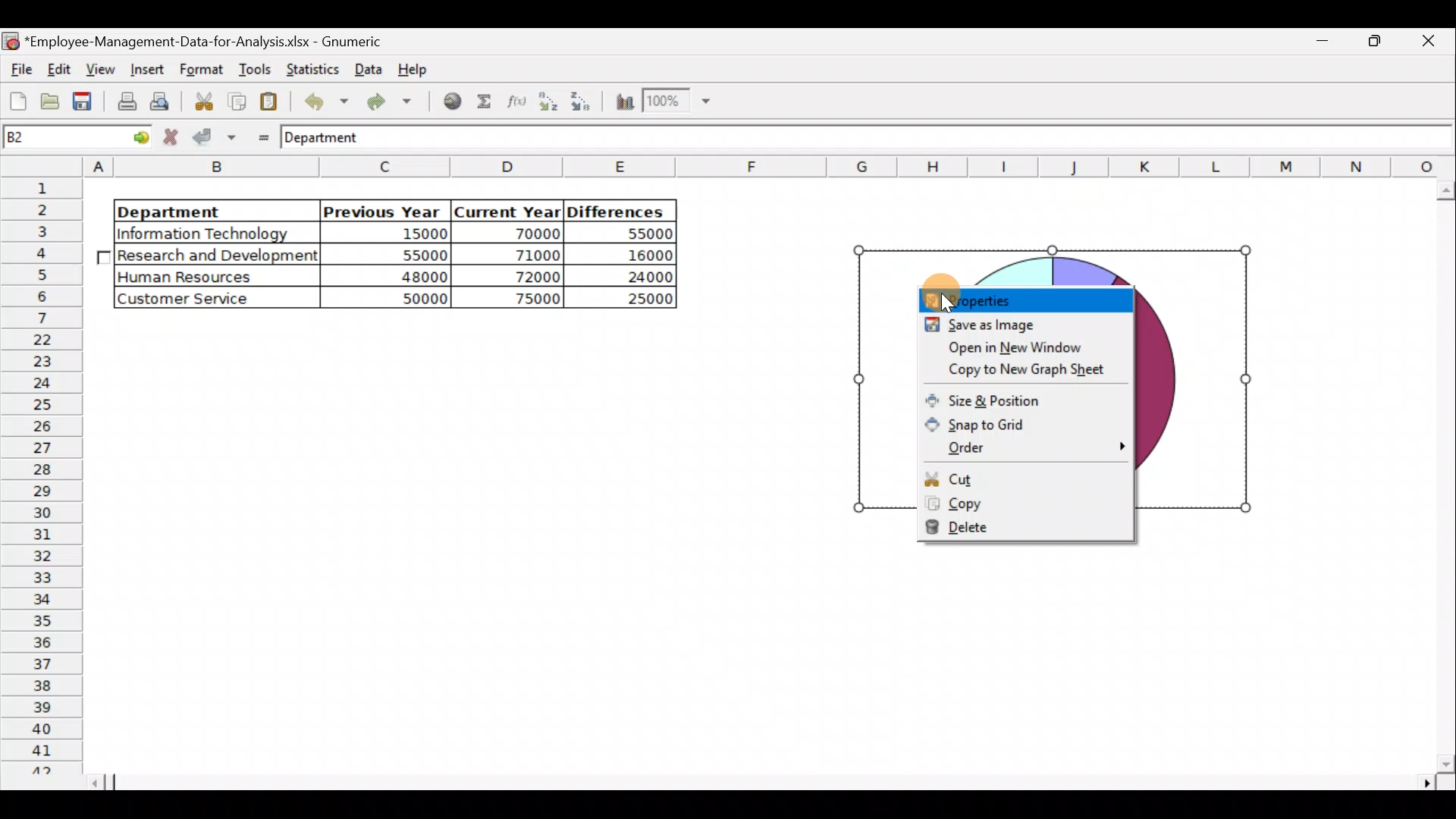 The image size is (1456, 819). Describe the element at coordinates (236, 102) in the screenshot. I see `Copy the selection` at that location.